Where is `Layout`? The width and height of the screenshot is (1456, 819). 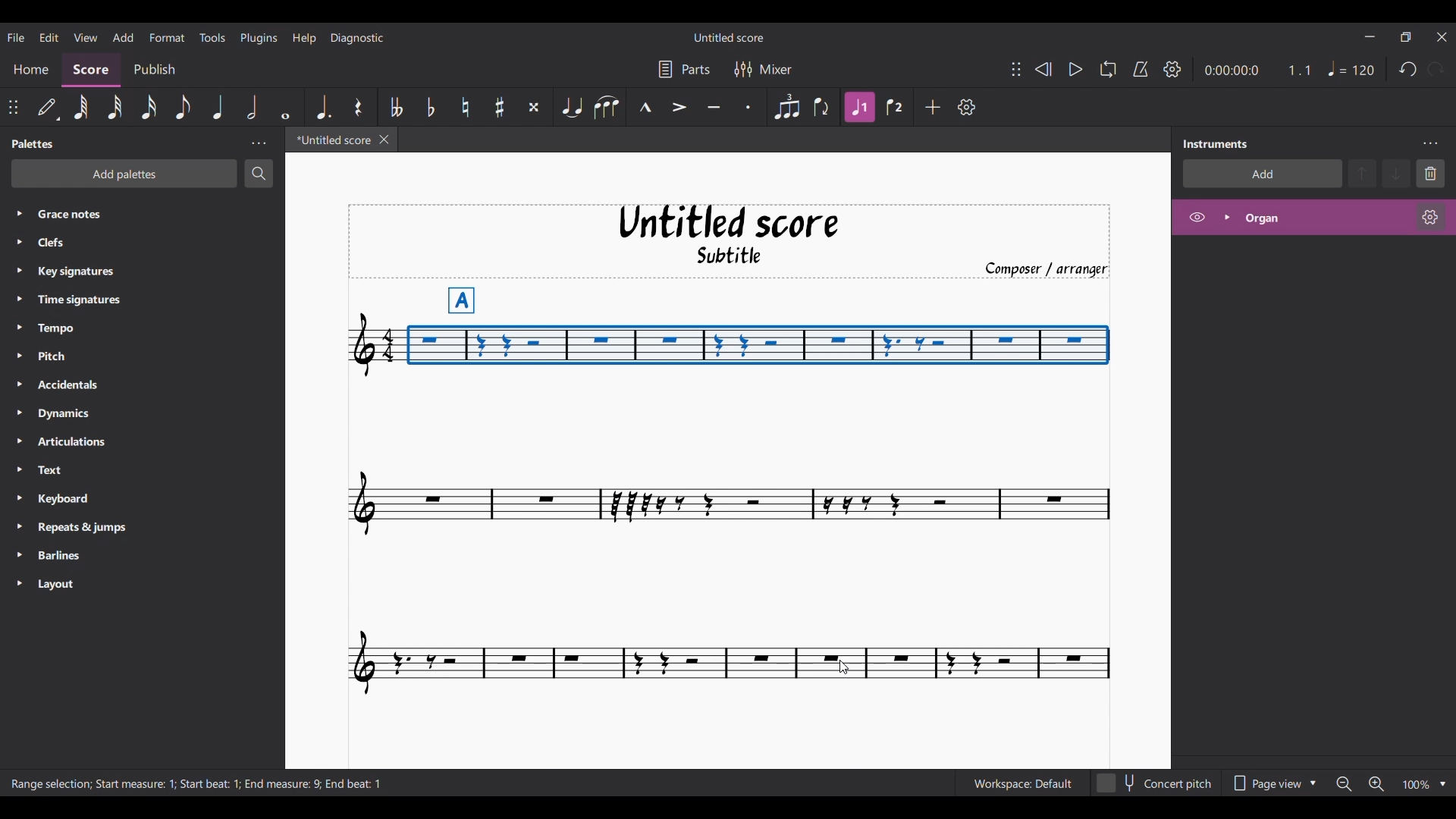
Layout is located at coordinates (79, 585).